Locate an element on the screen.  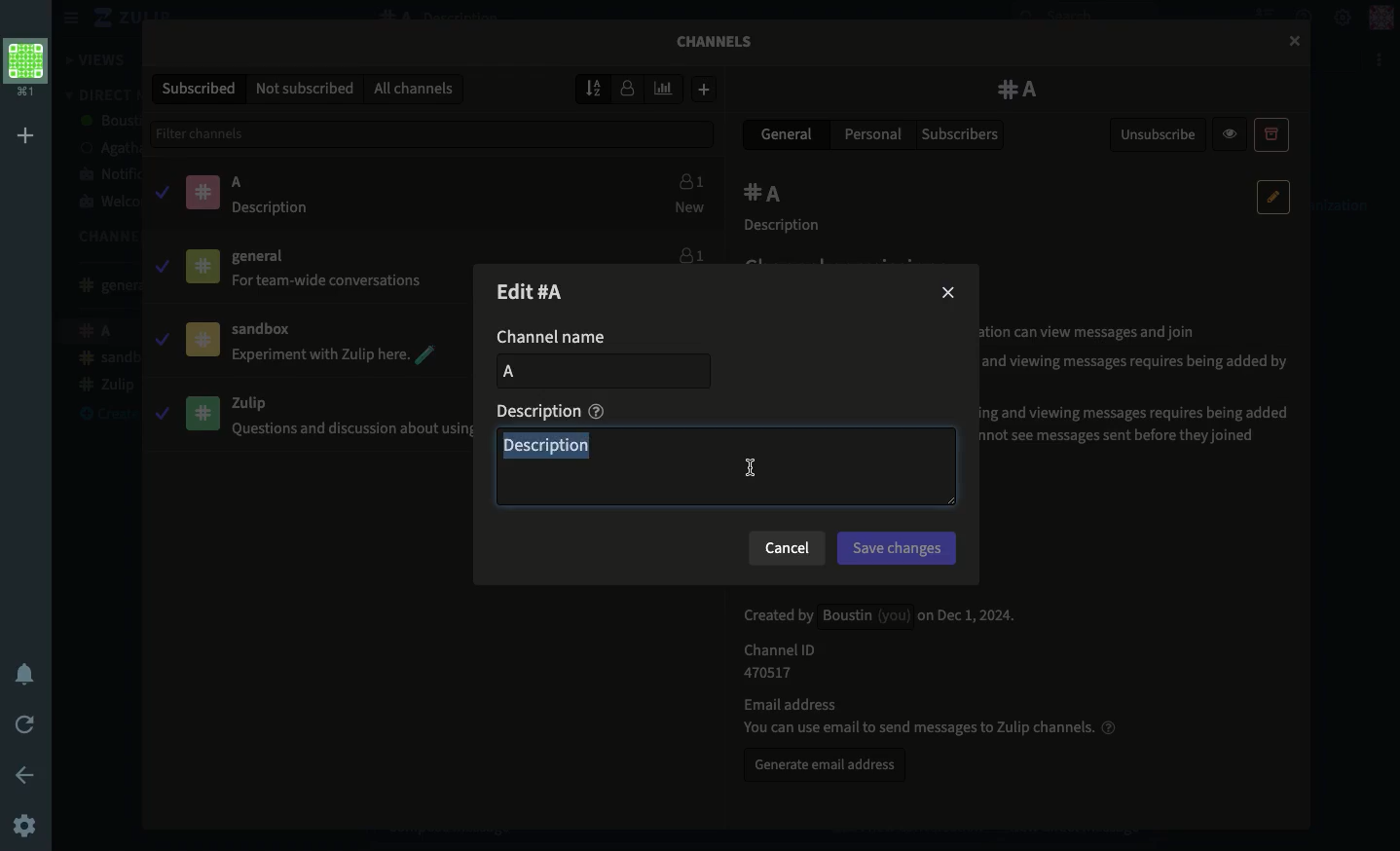
Description is located at coordinates (788, 227).